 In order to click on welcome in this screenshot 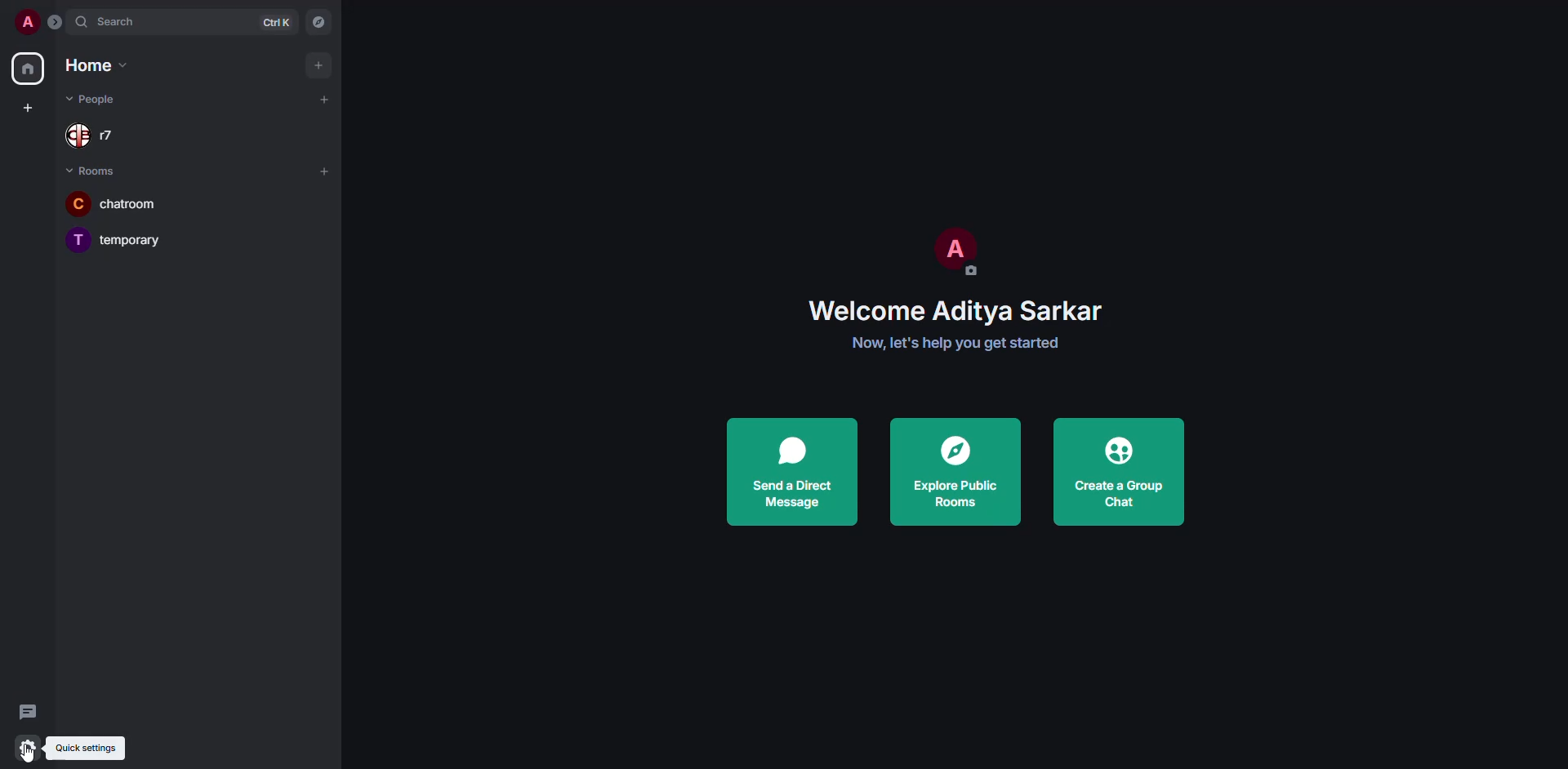, I will do `click(954, 310)`.